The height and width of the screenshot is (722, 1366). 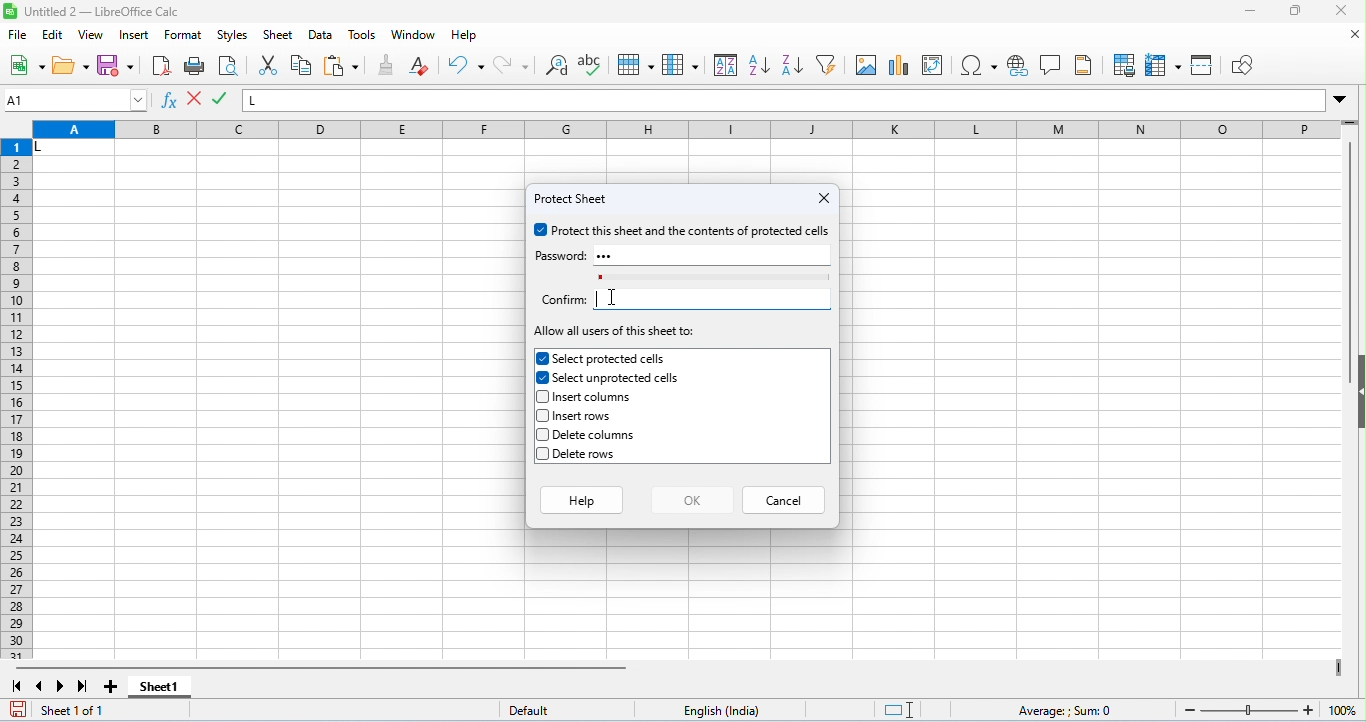 What do you see at coordinates (580, 498) in the screenshot?
I see `help` at bounding box center [580, 498].